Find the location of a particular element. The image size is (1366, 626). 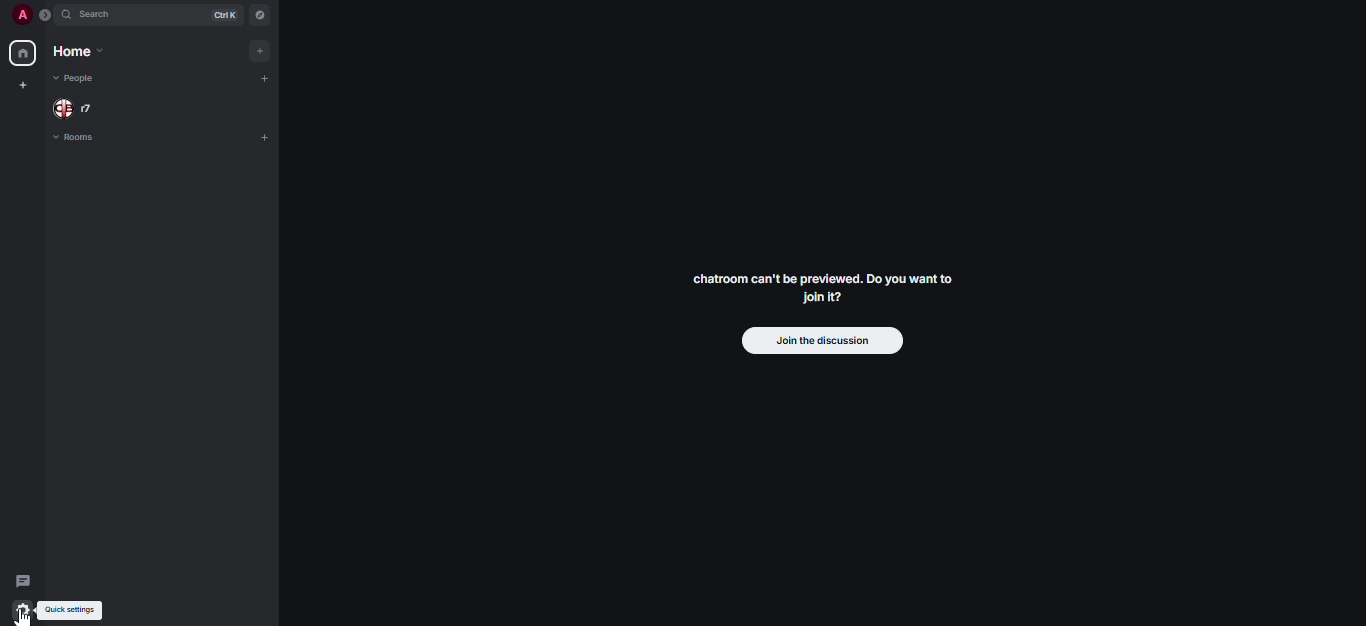

expand is located at coordinates (46, 15).